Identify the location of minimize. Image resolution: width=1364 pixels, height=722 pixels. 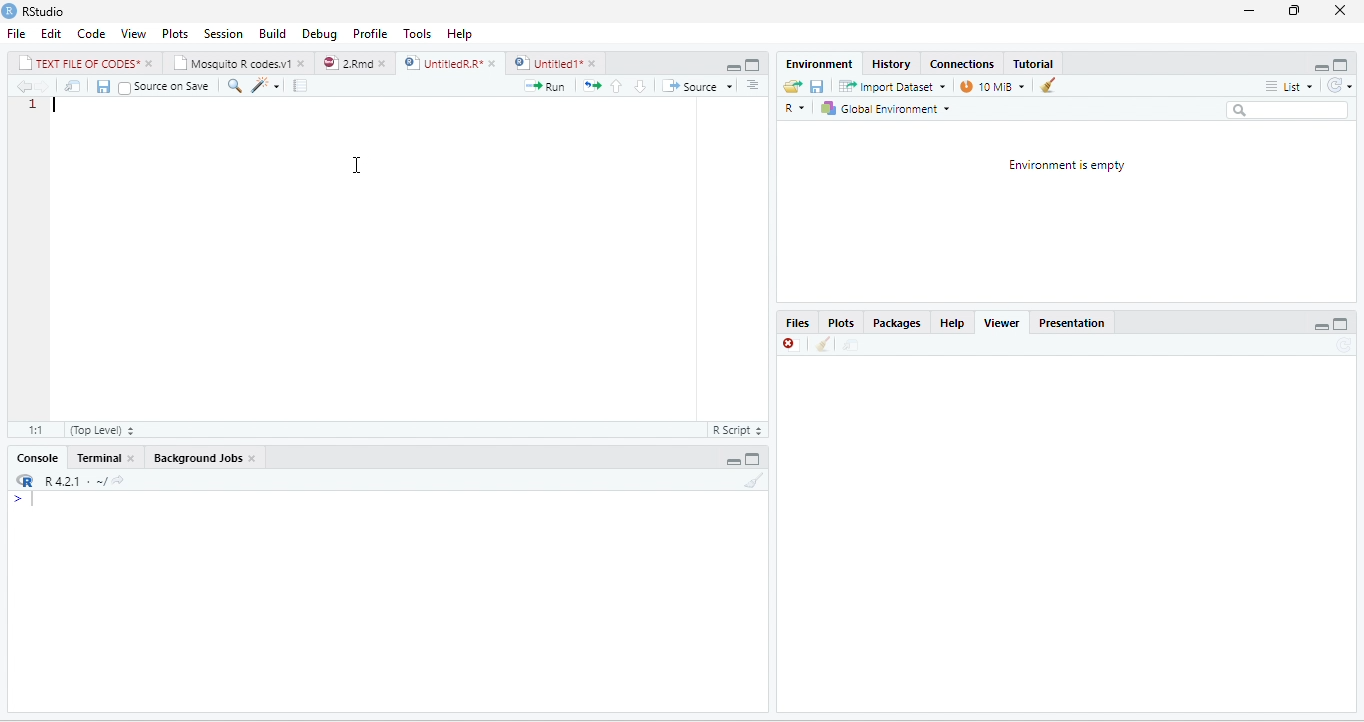
(1320, 324).